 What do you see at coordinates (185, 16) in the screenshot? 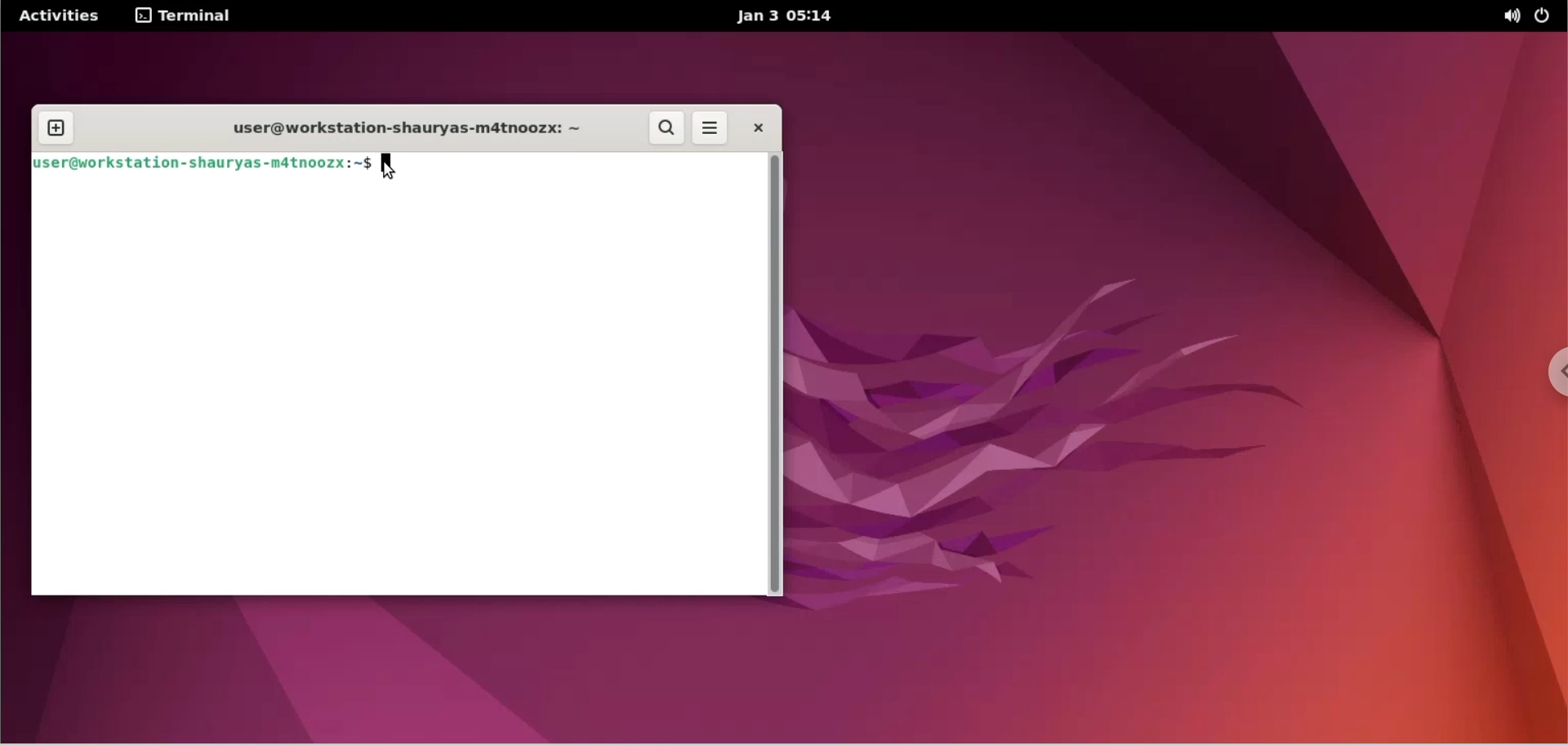
I see `terminal options` at bounding box center [185, 16].